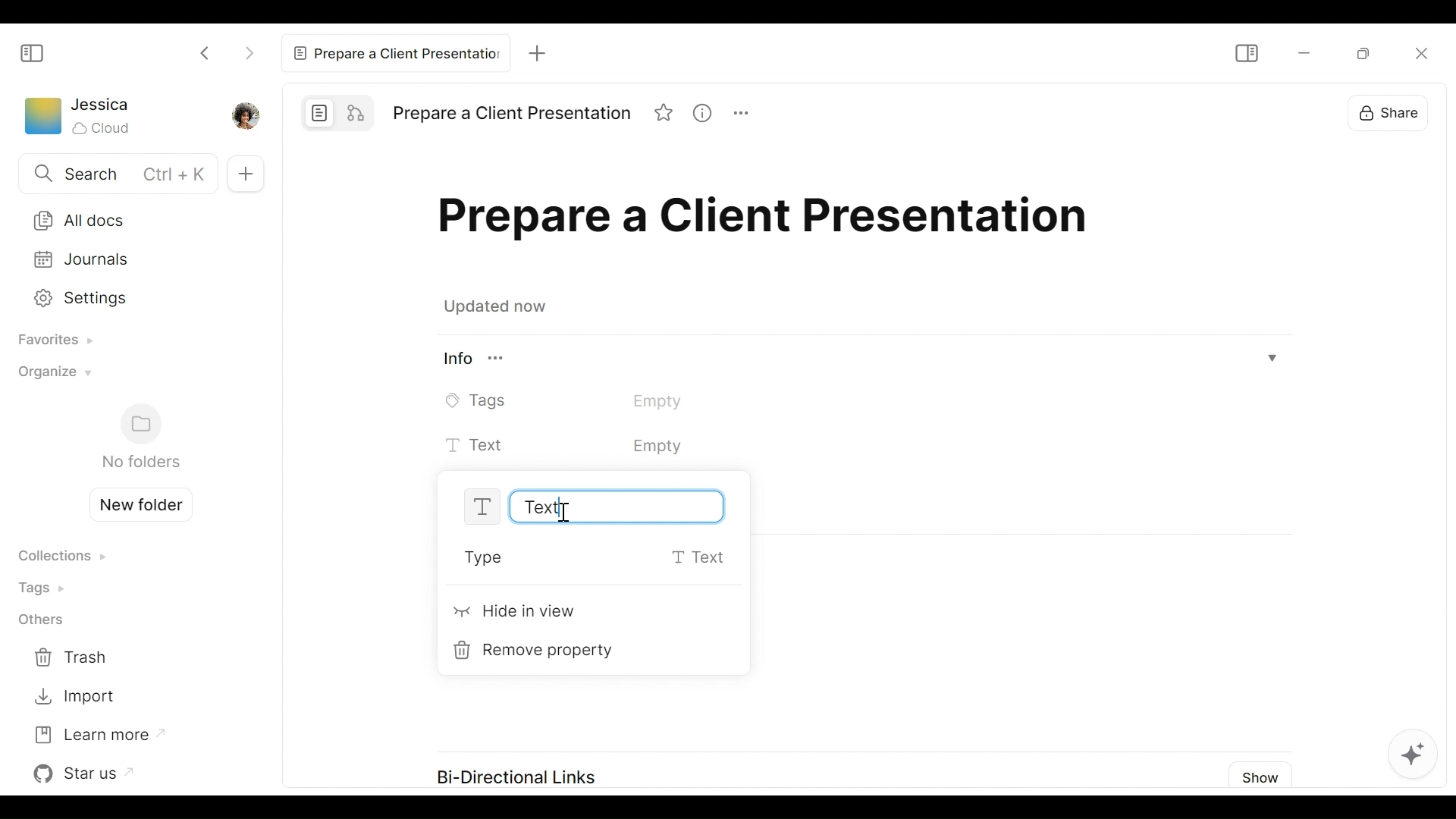 Image resolution: width=1456 pixels, height=819 pixels. What do you see at coordinates (135, 503) in the screenshot?
I see `Create new folder` at bounding box center [135, 503].